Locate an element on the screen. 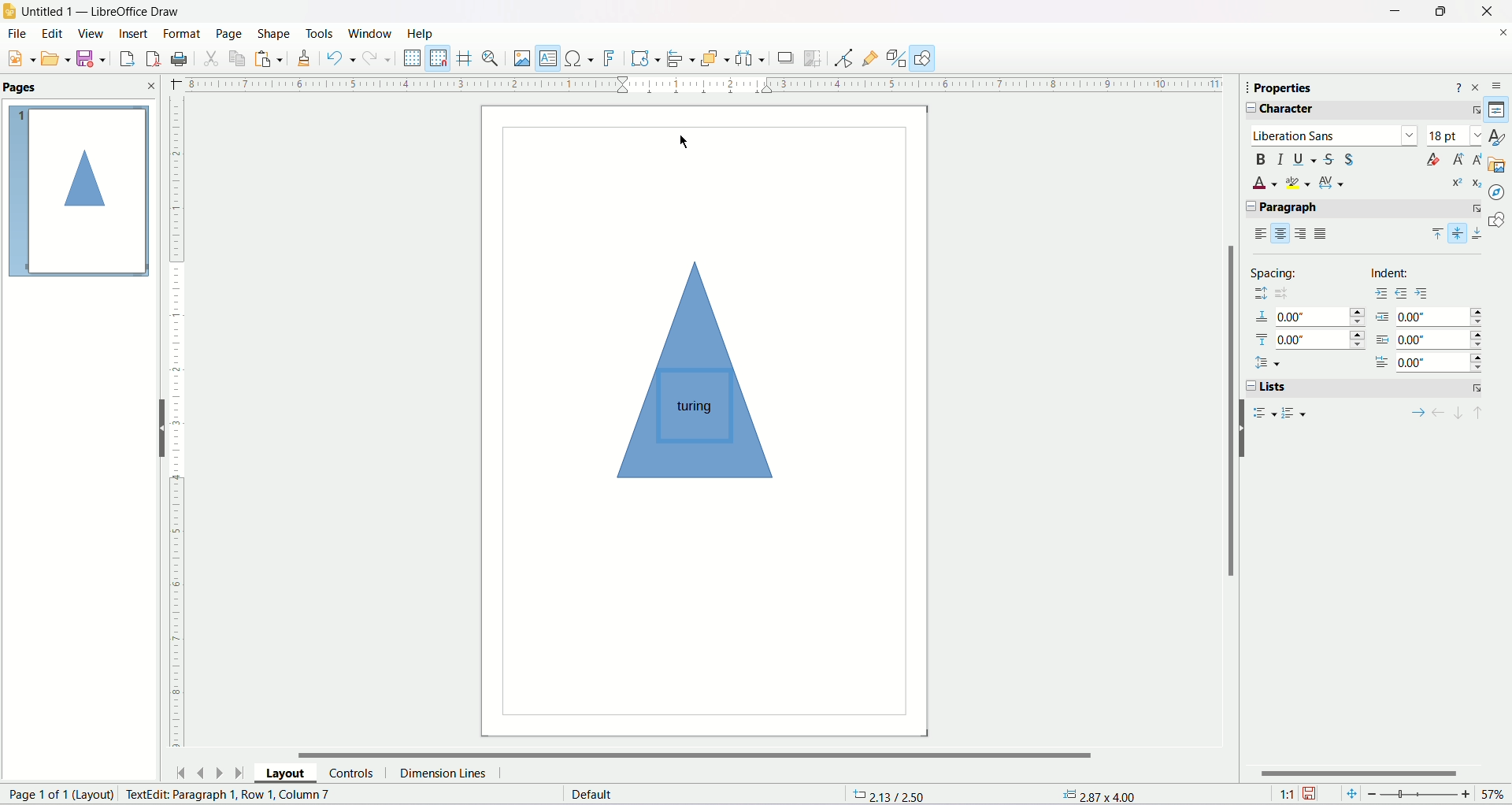 The image size is (1512, 805). Redo is located at coordinates (376, 57).